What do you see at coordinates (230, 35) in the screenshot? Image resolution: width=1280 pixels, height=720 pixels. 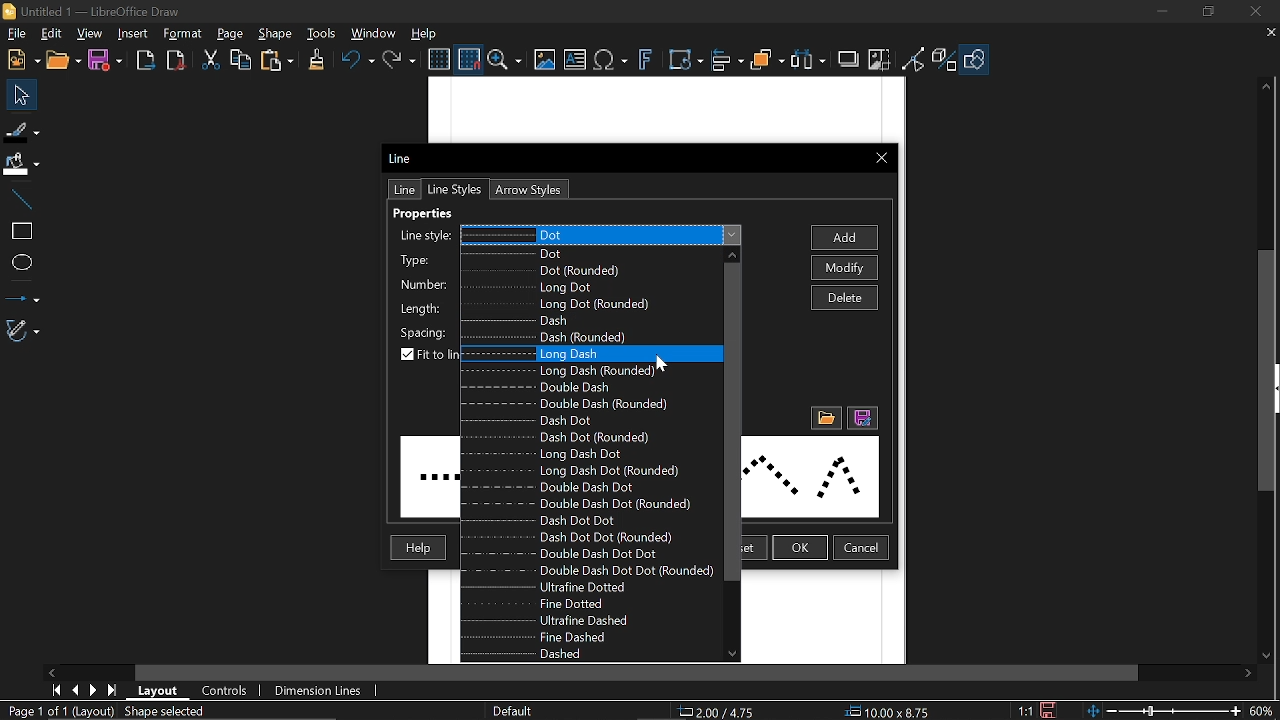 I see `Page` at bounding box center [230, 35].